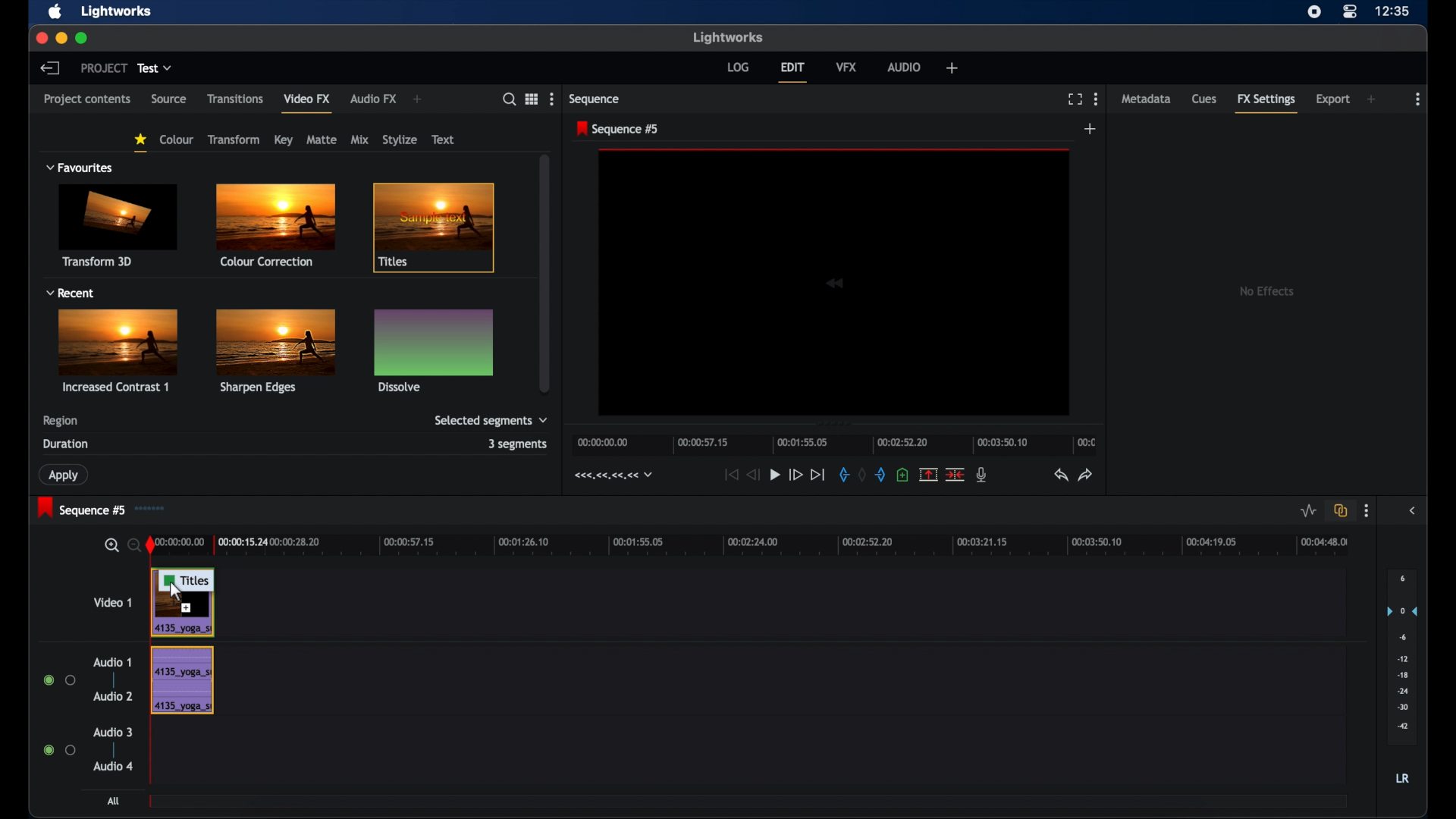 Image resolution: width=1456 pixels, height=819 pixels. I want to click on jump to end, so click(817, 474).